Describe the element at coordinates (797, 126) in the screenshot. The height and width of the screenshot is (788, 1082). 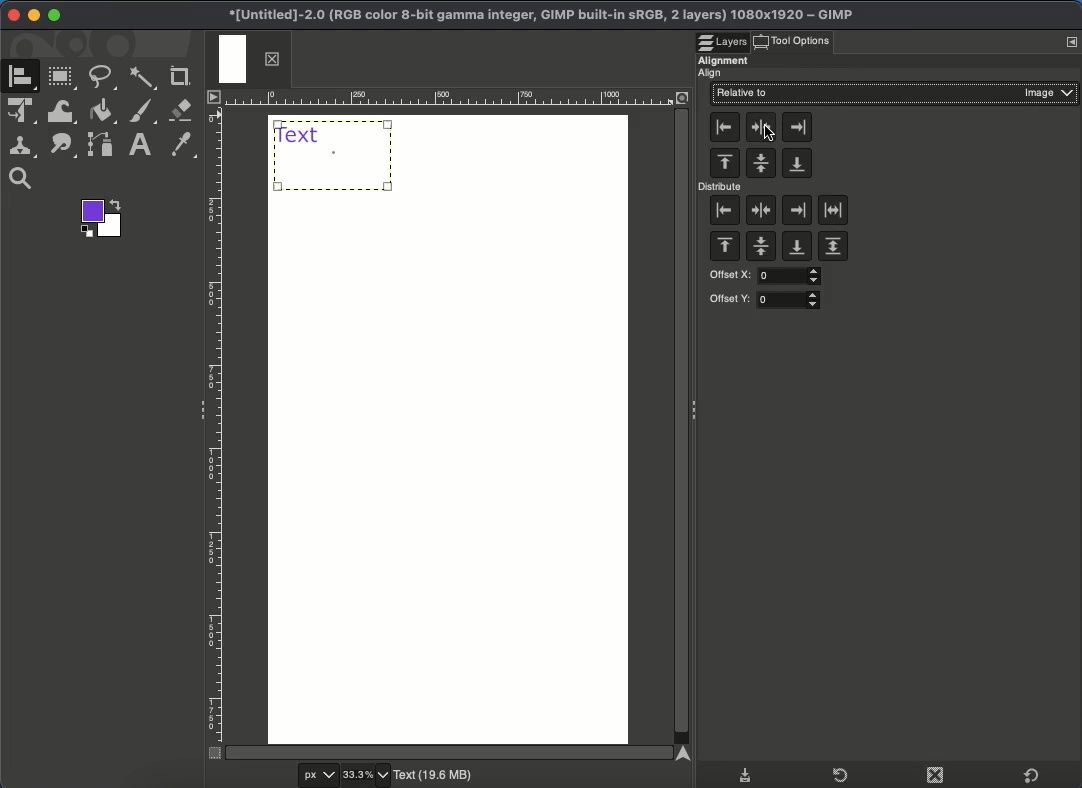
I see `Align to the right` at that location.